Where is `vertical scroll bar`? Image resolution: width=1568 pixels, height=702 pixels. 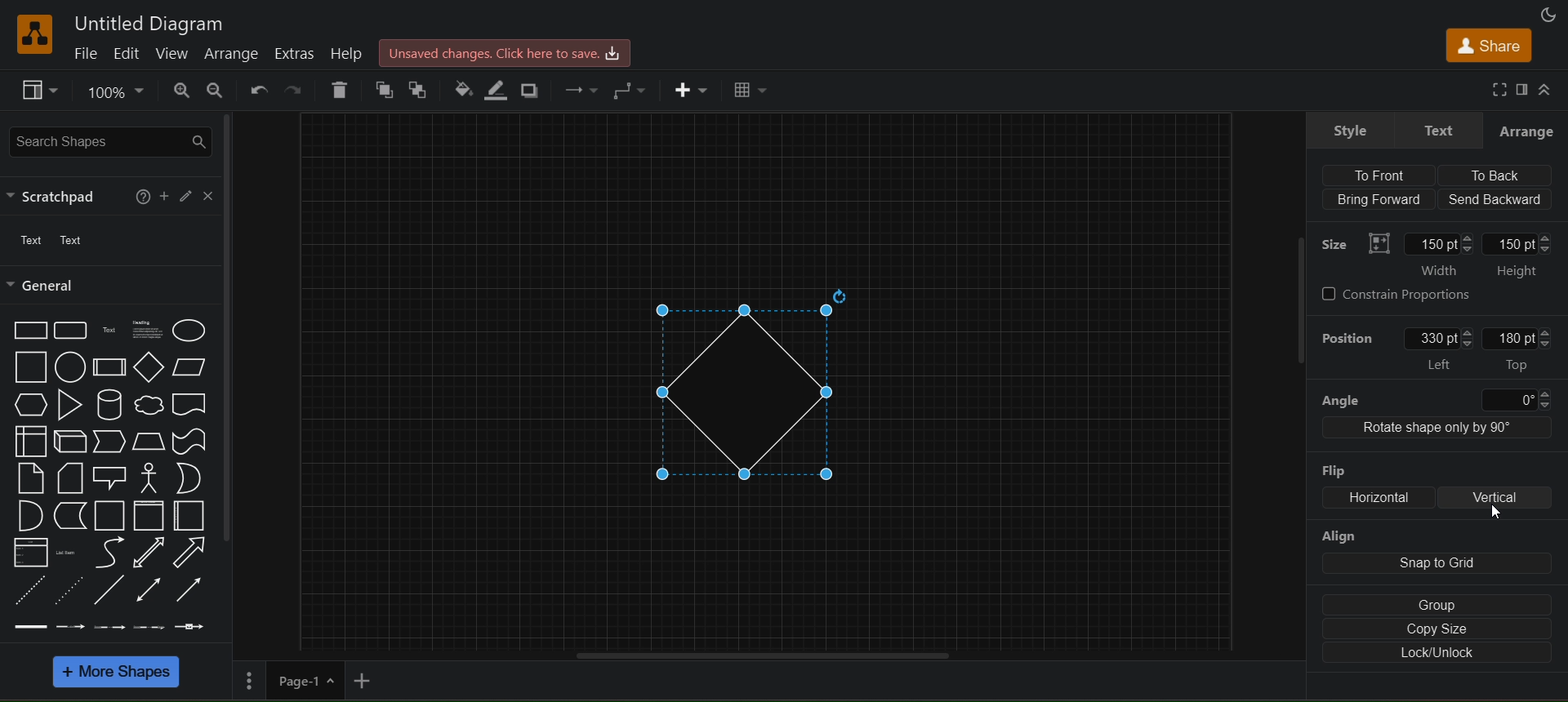
vertical scroll bar is located at coordinates (229, 327).